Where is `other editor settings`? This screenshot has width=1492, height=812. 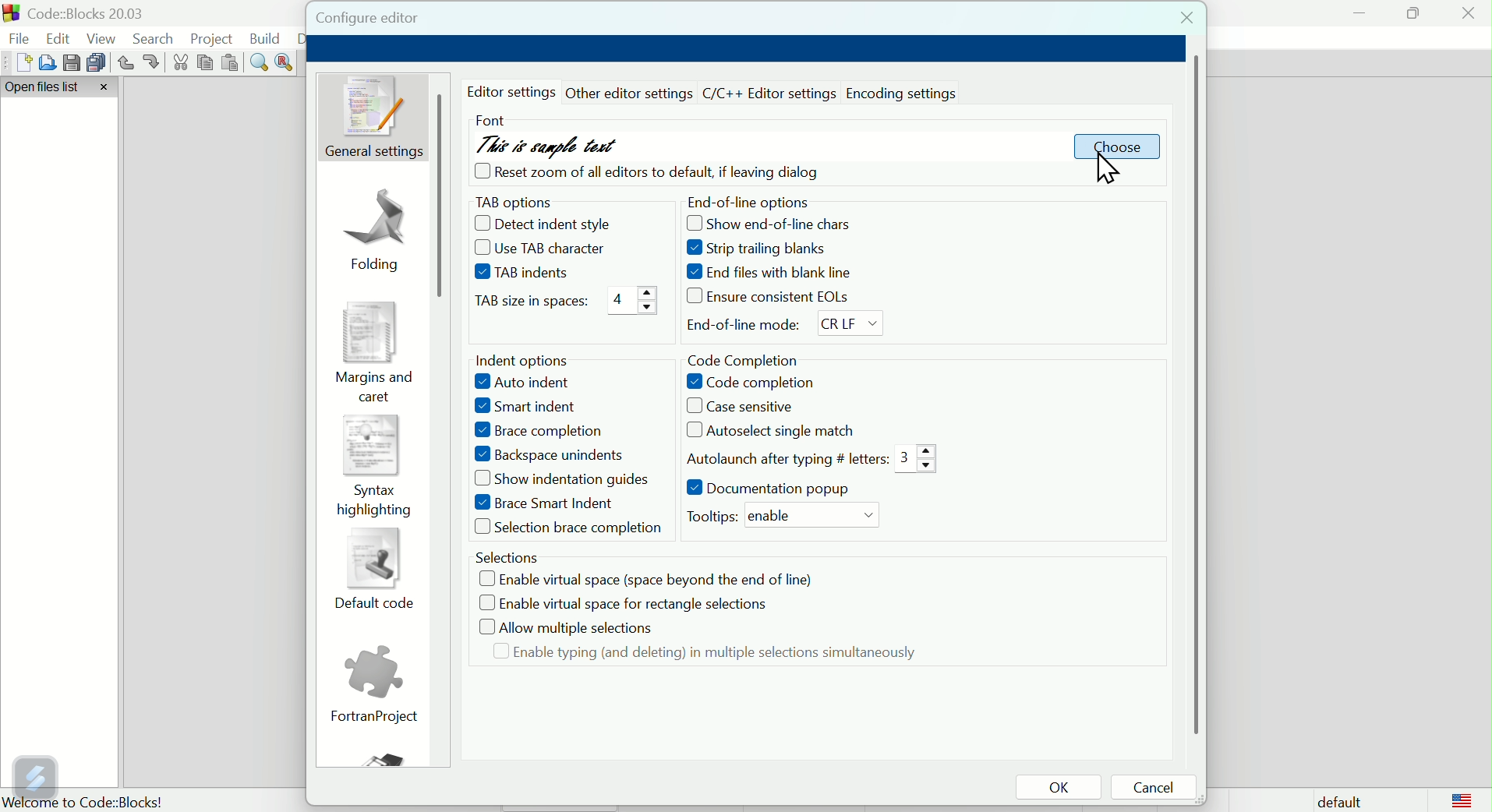 other editor settings is located at coordinates (631, 93).